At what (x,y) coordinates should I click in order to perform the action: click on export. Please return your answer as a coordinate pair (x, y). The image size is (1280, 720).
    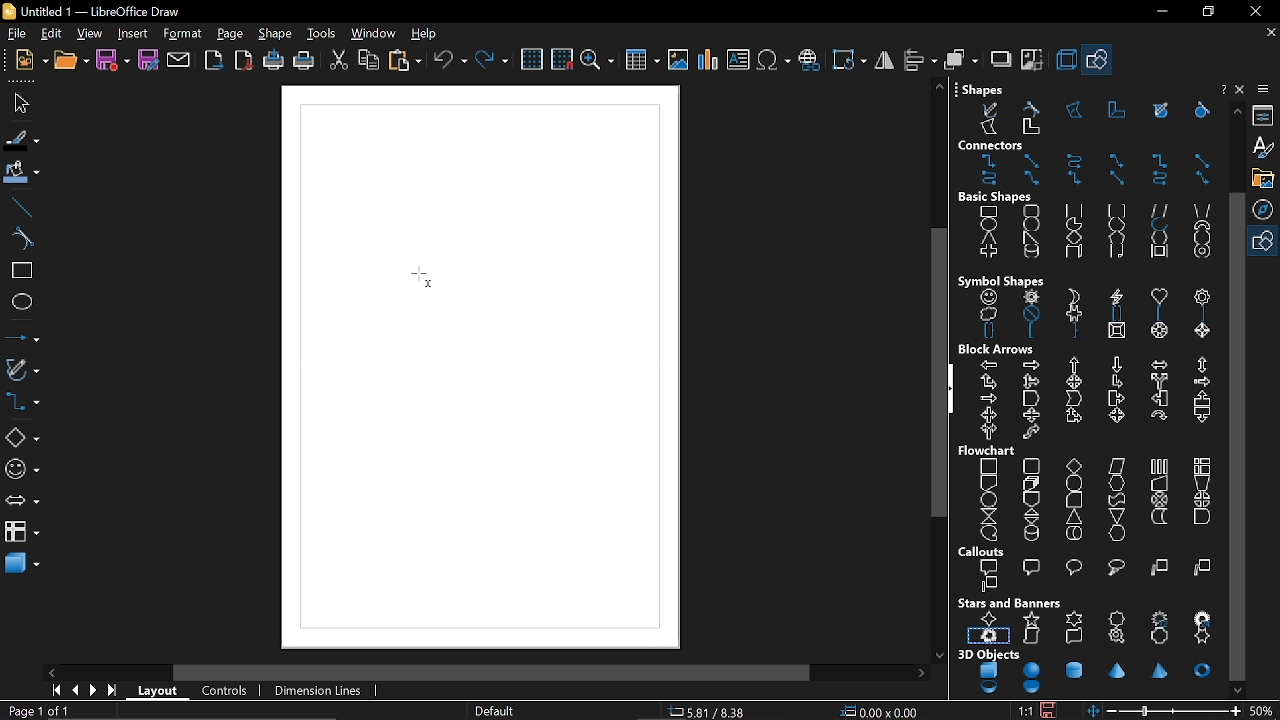
    Looking at the image, I should click on (215, 60).